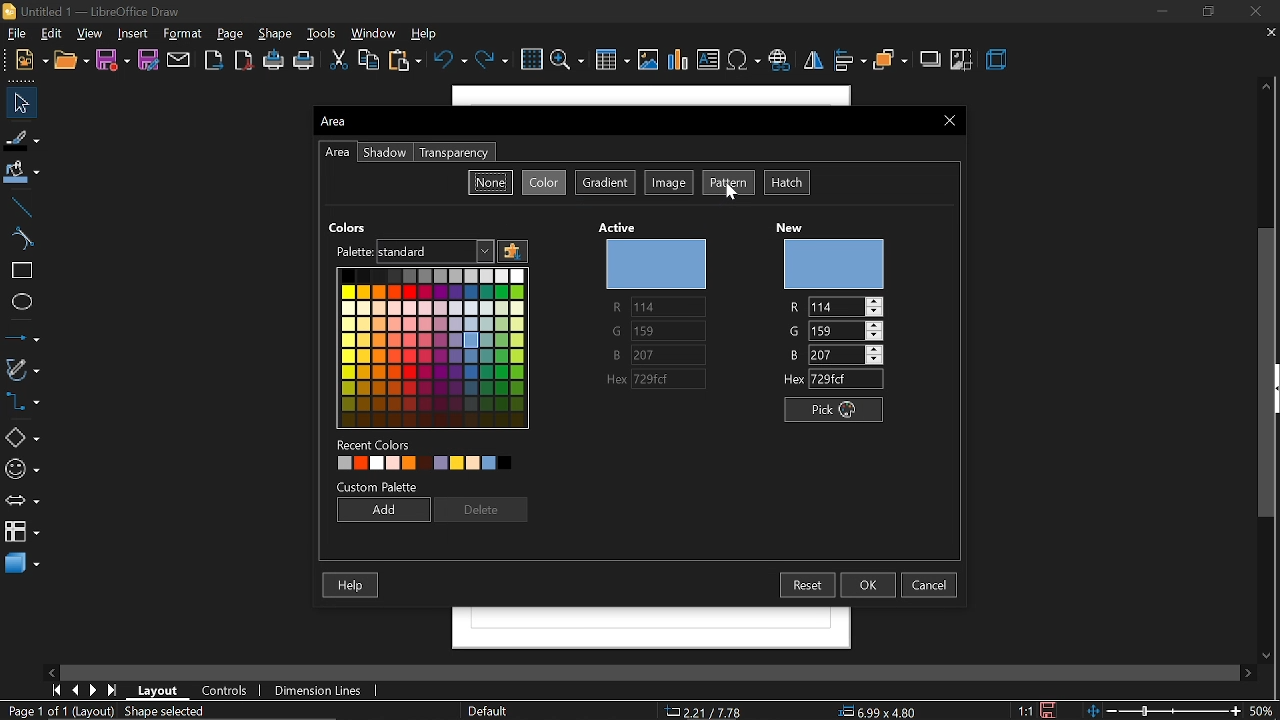 Image resolution: width=1280 pixels, height=720 pixels. What do you see at coordinates (512, 253) in the screenshot?
I see `Puzzle` at bounding box center [512, 253].